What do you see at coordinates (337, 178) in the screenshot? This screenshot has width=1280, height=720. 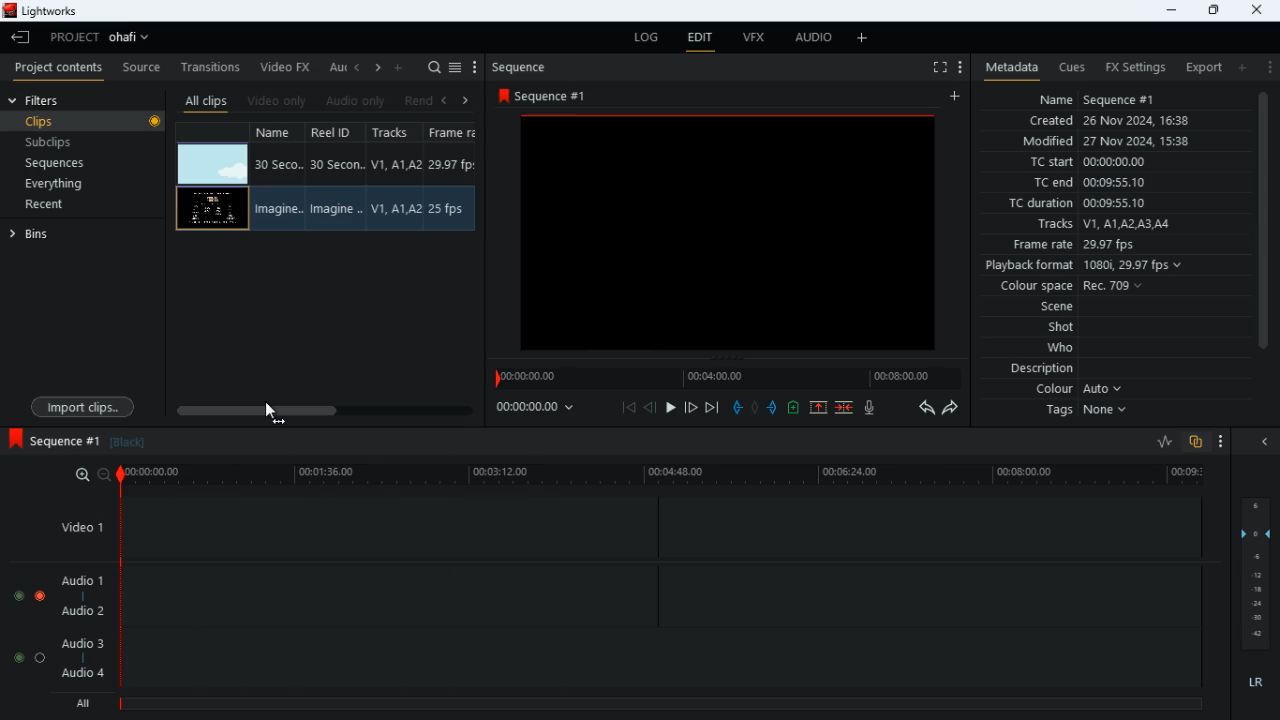 I see `reel id` at bounding box center [337, 178].